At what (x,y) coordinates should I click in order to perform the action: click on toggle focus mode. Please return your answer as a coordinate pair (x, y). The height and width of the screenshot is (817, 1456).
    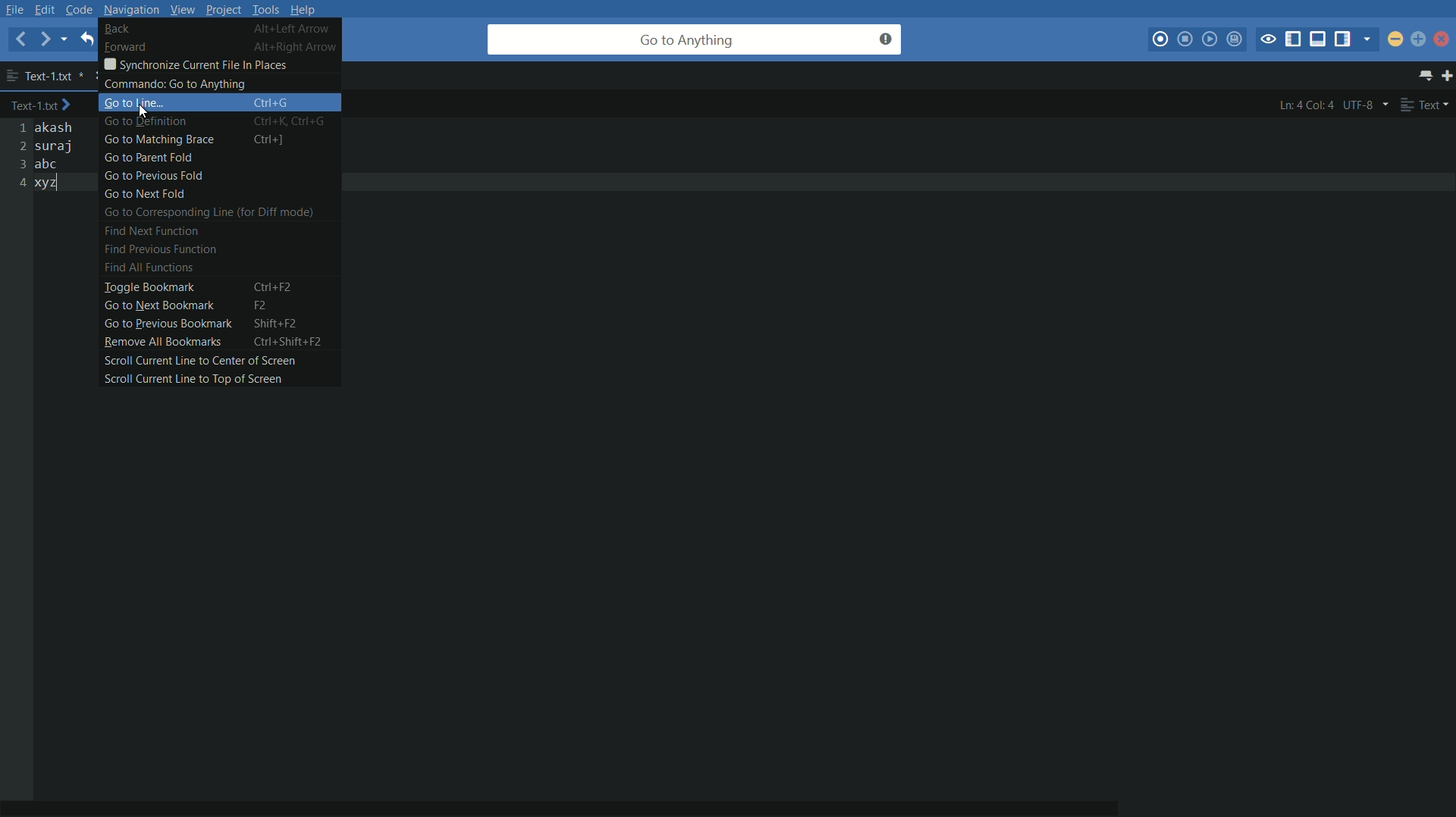
    Looking at the image, I should click on (1269, 39).